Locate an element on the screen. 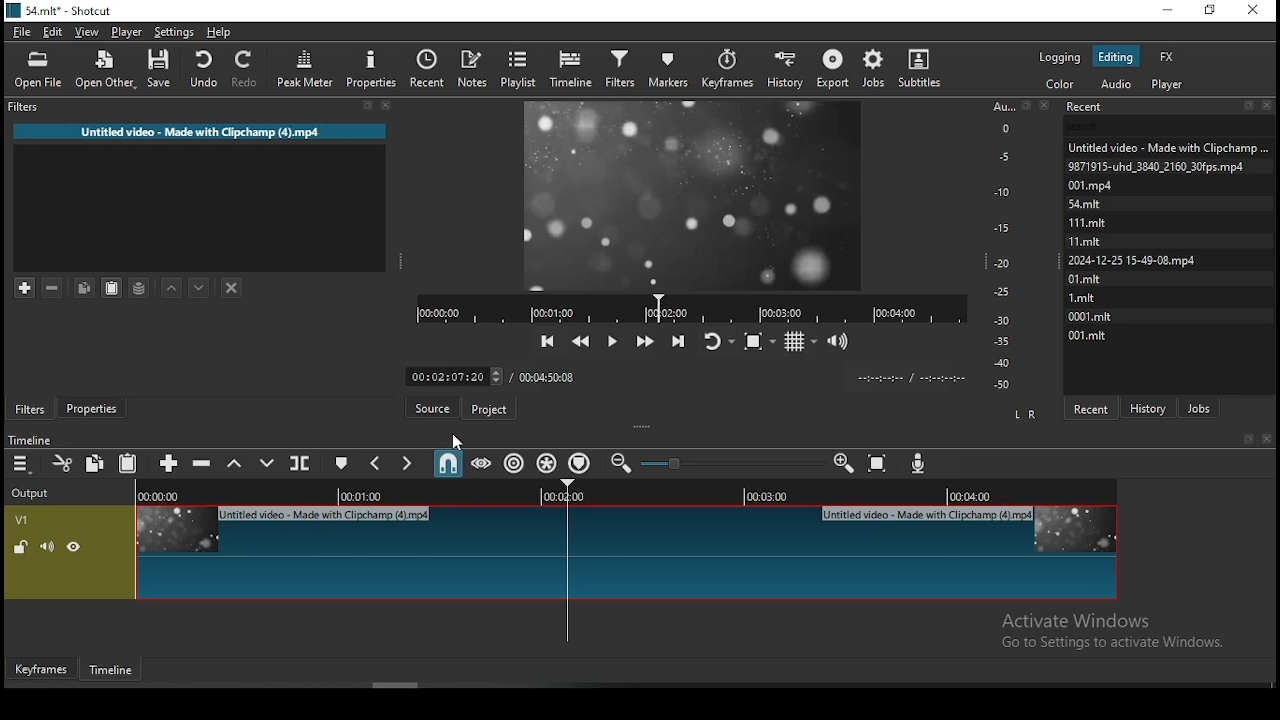 This screenshot has height=720, width=1280. playlist is located at coordinates (517, 69).